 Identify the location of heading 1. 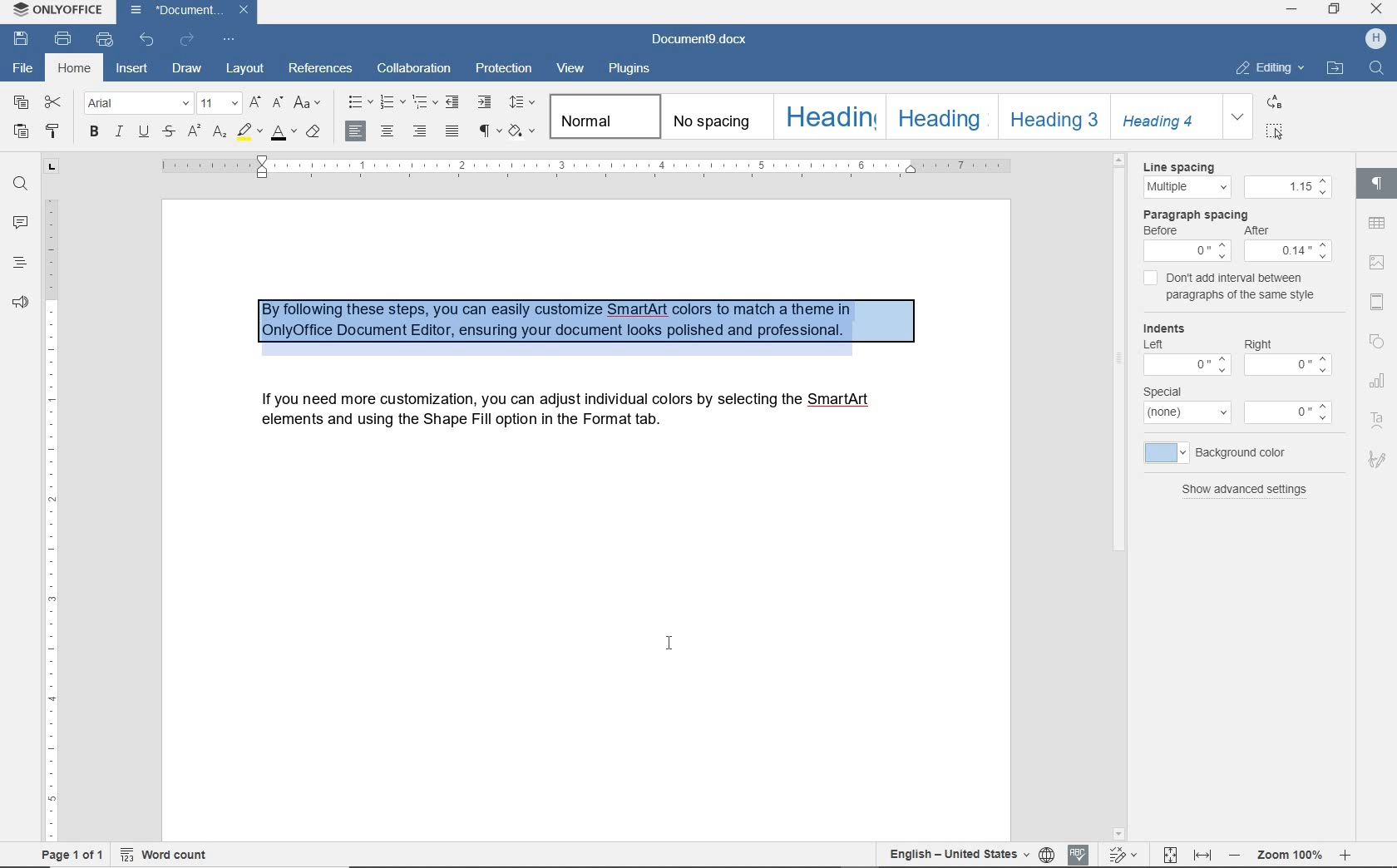
(828, 116).